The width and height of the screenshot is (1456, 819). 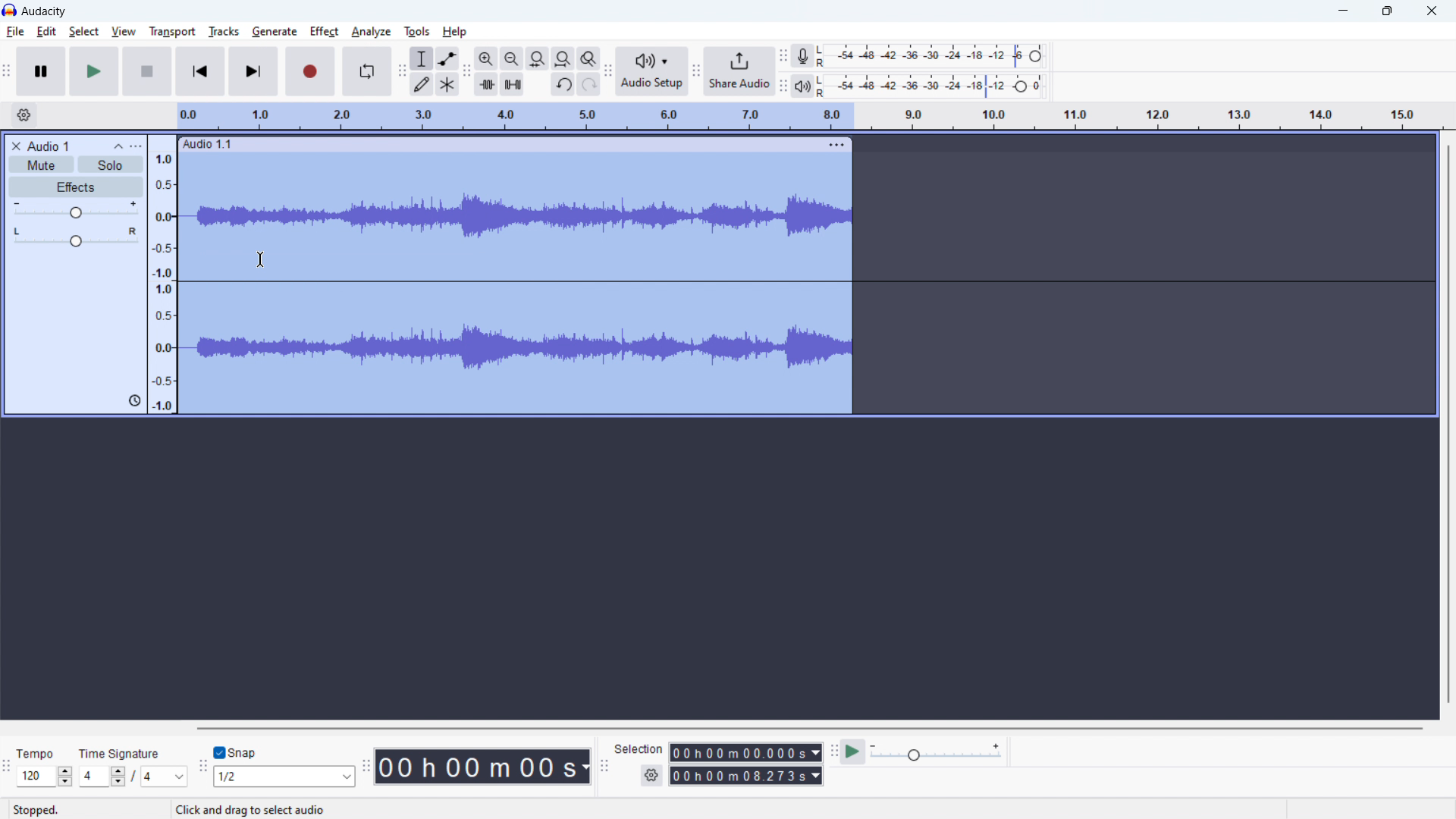 What do you see at coordinates (651, 776) in the screenshot?
I see `selection settings` at bounding box center [651, 776].